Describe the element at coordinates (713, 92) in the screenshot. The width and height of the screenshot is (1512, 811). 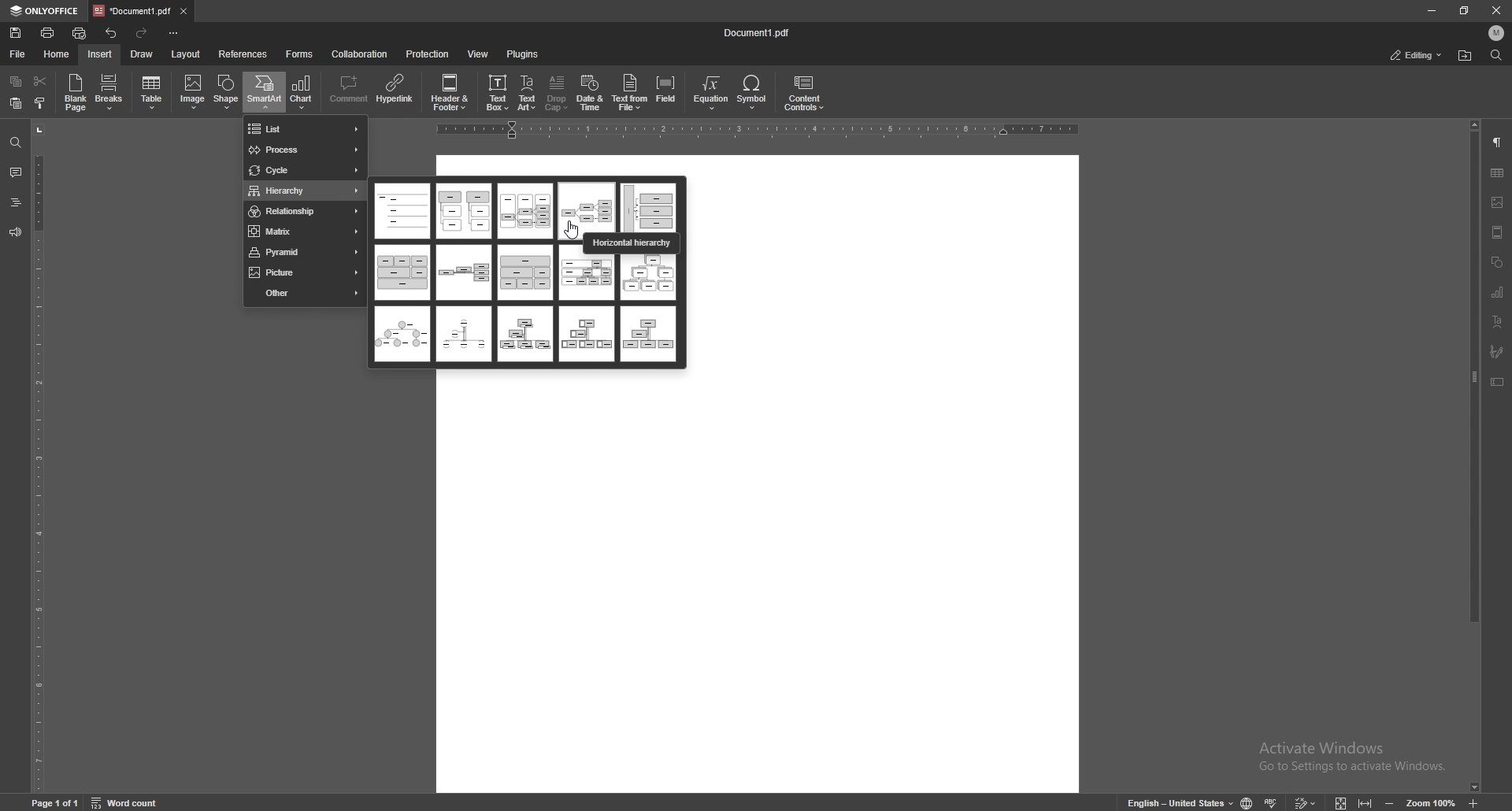
I see `equation` at that location.